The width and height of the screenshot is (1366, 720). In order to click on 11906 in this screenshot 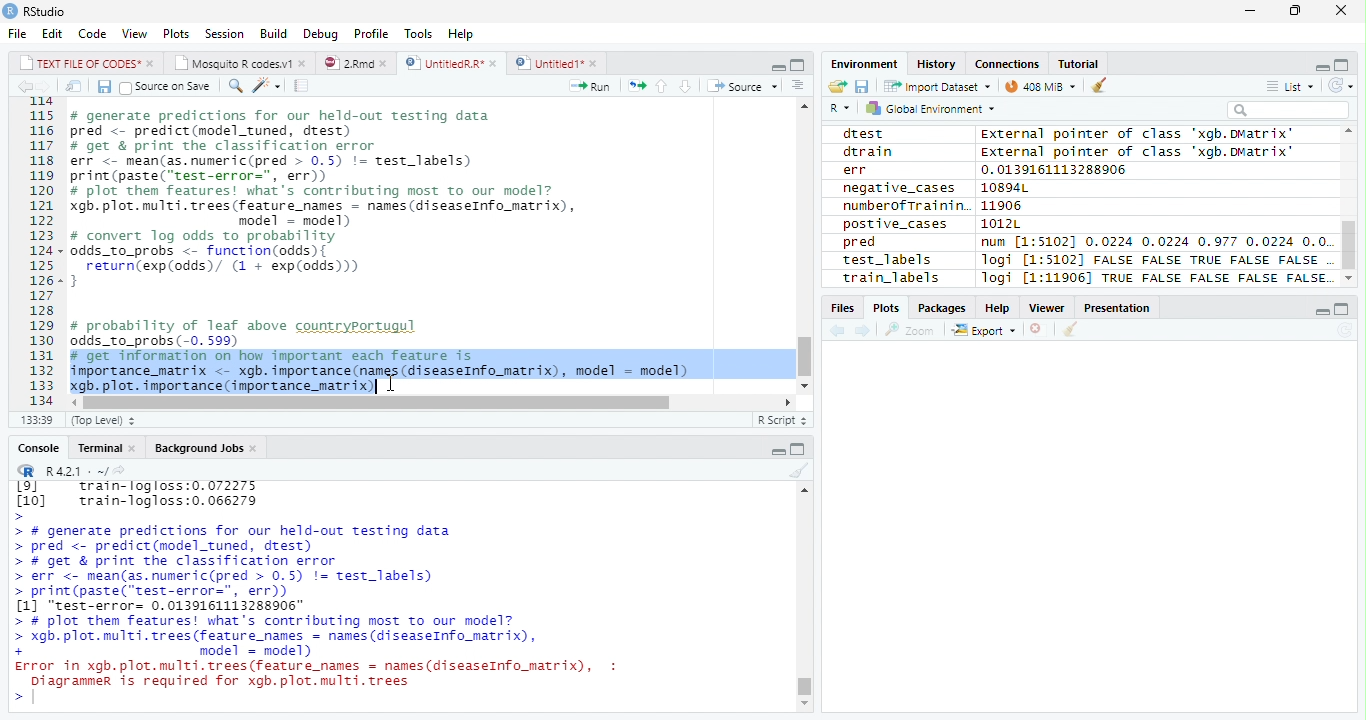, I will do `click(1003, 205)`.